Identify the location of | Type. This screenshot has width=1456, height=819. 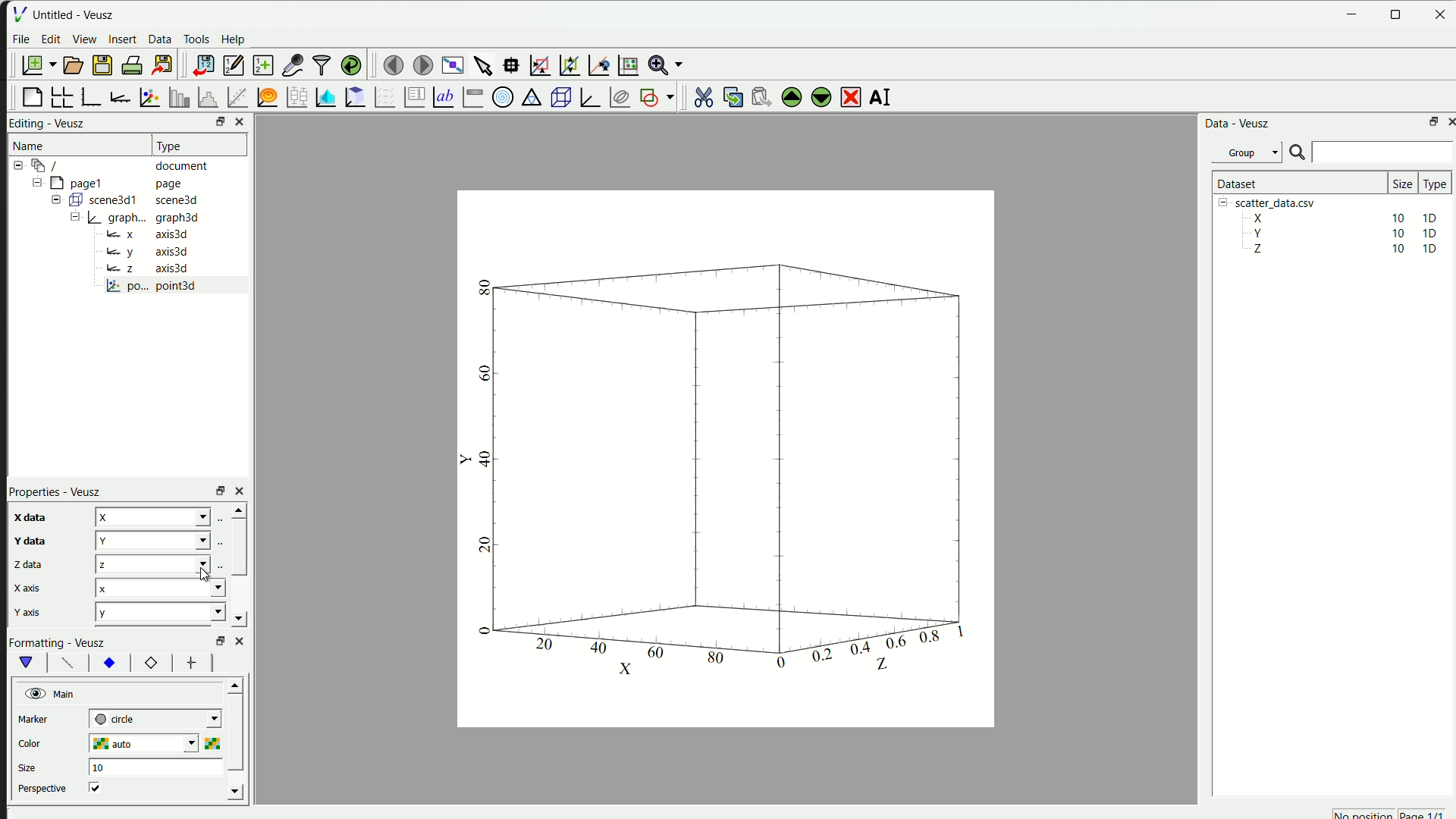
(1432, 184).